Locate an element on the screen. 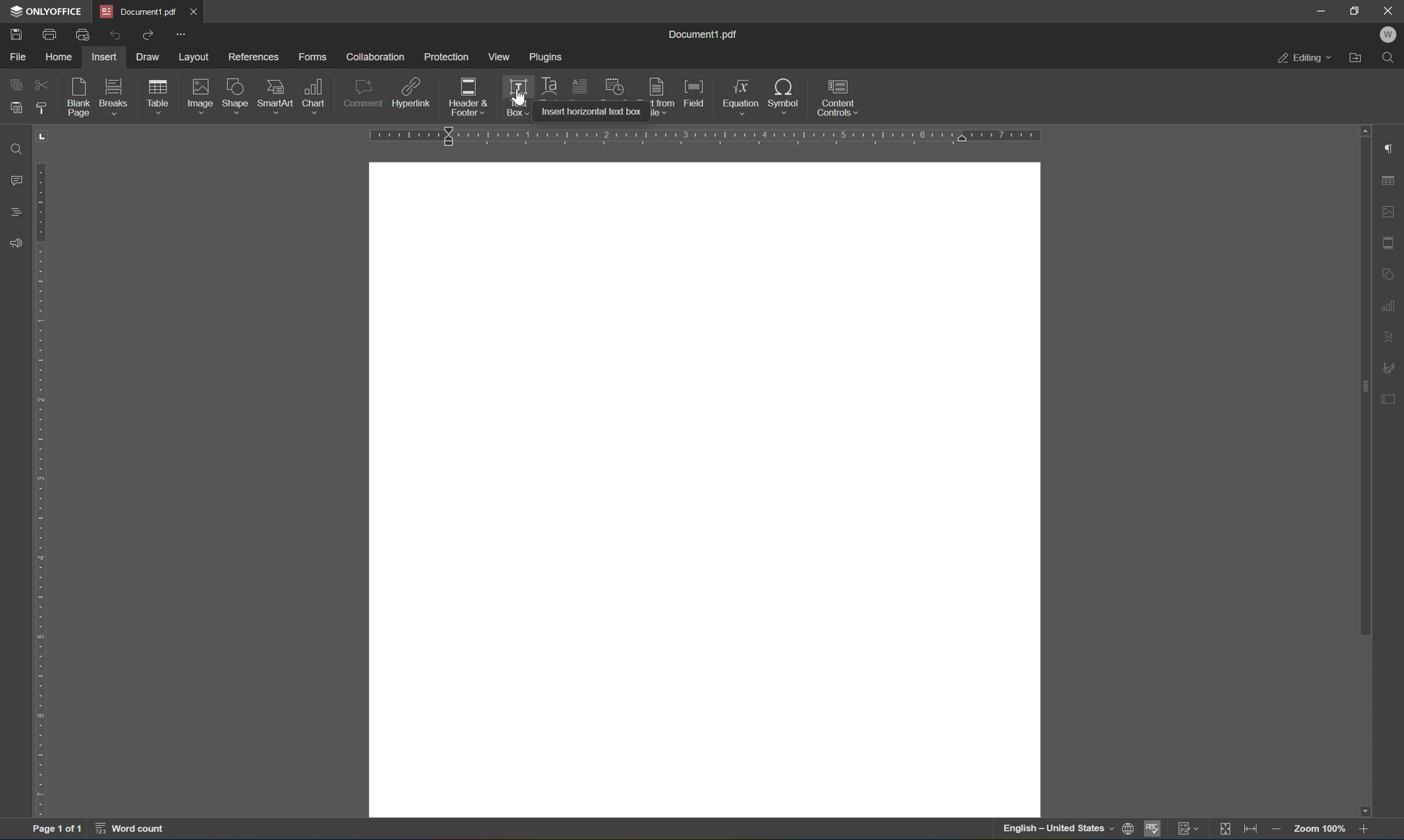 The image size is (1404, 840). collaboration is located at coordinates (377, 57).